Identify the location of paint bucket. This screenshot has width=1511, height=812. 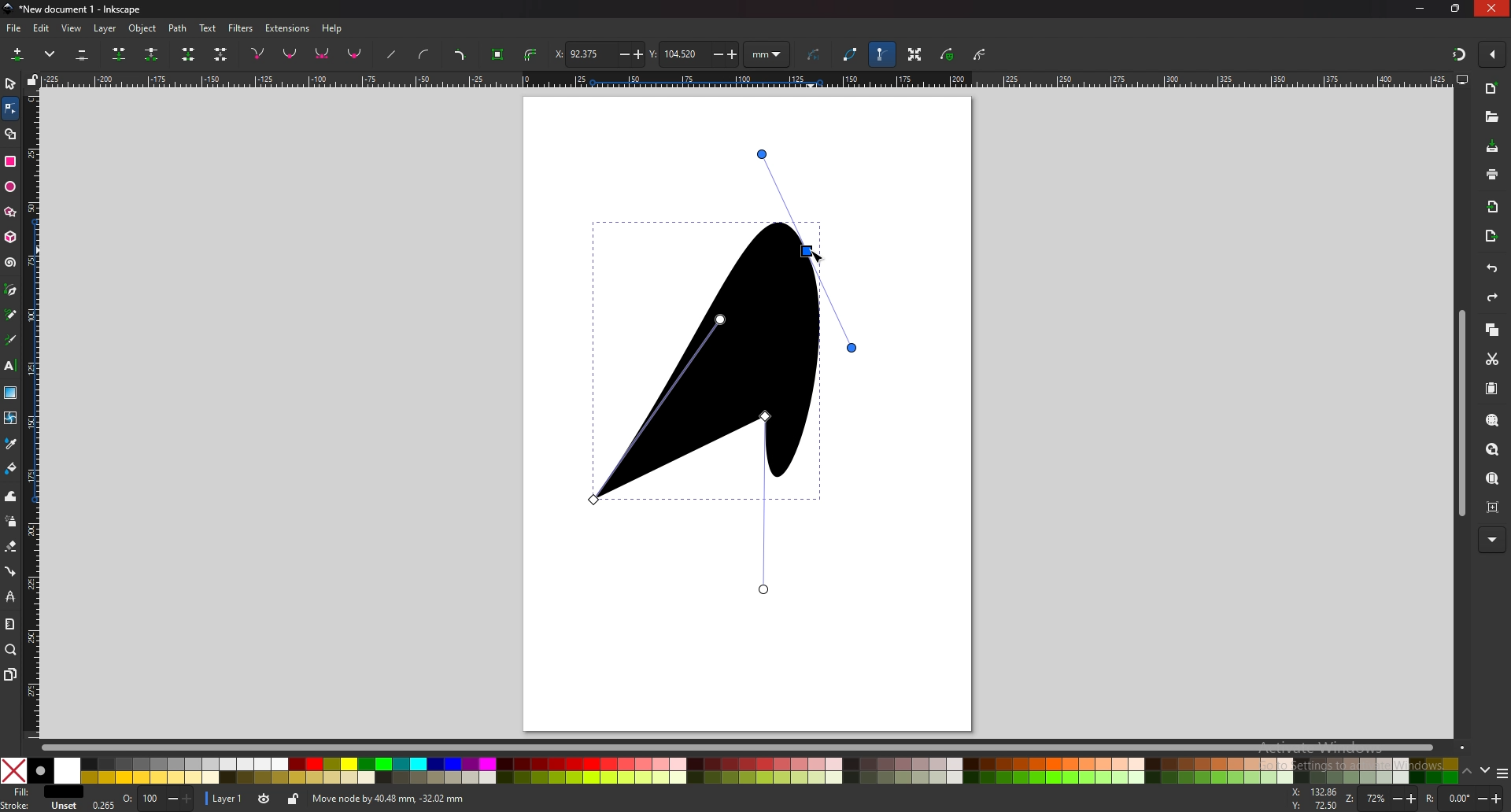
(10, 469).